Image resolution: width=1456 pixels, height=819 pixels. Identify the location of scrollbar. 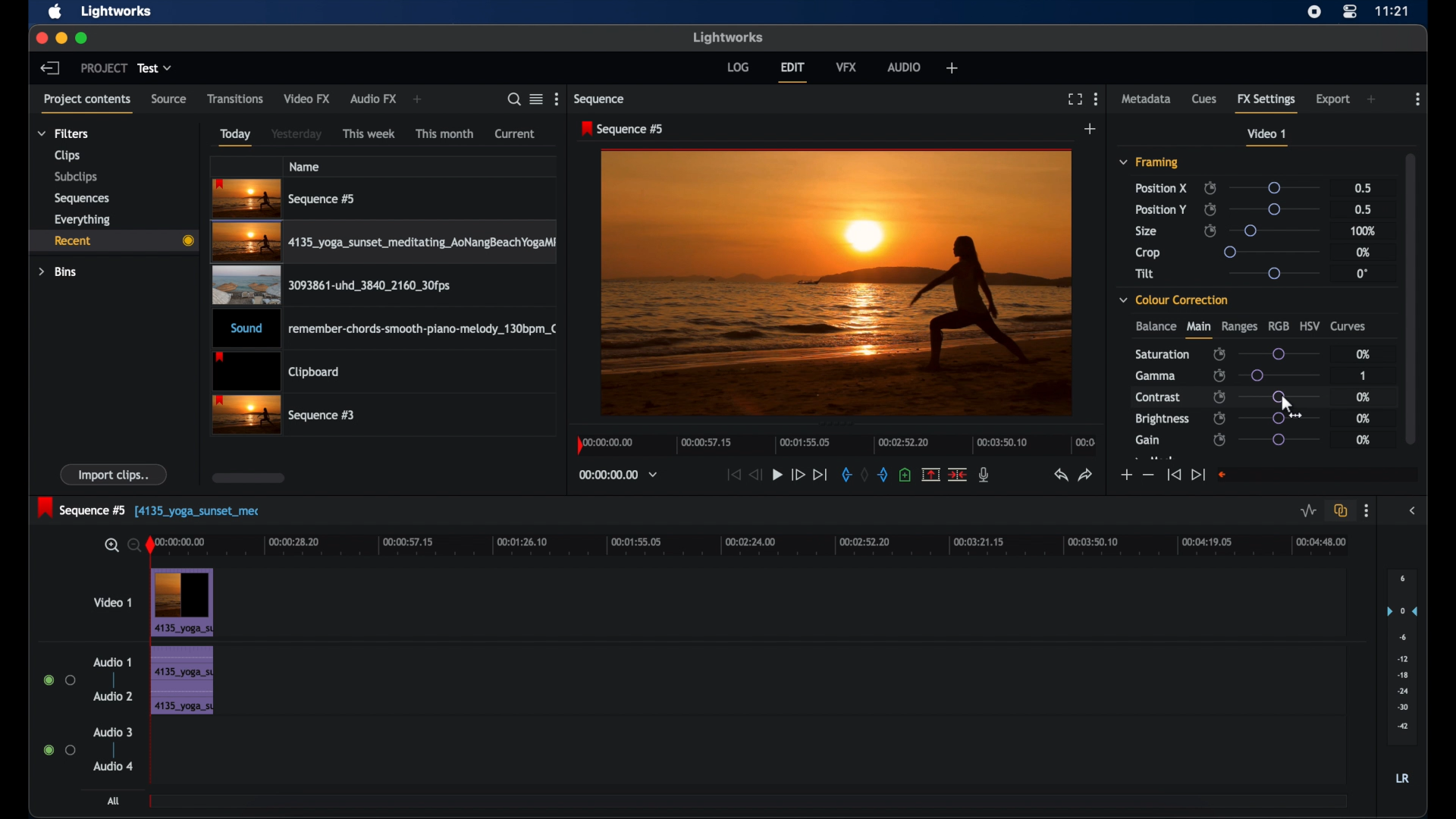
(1408, 297).